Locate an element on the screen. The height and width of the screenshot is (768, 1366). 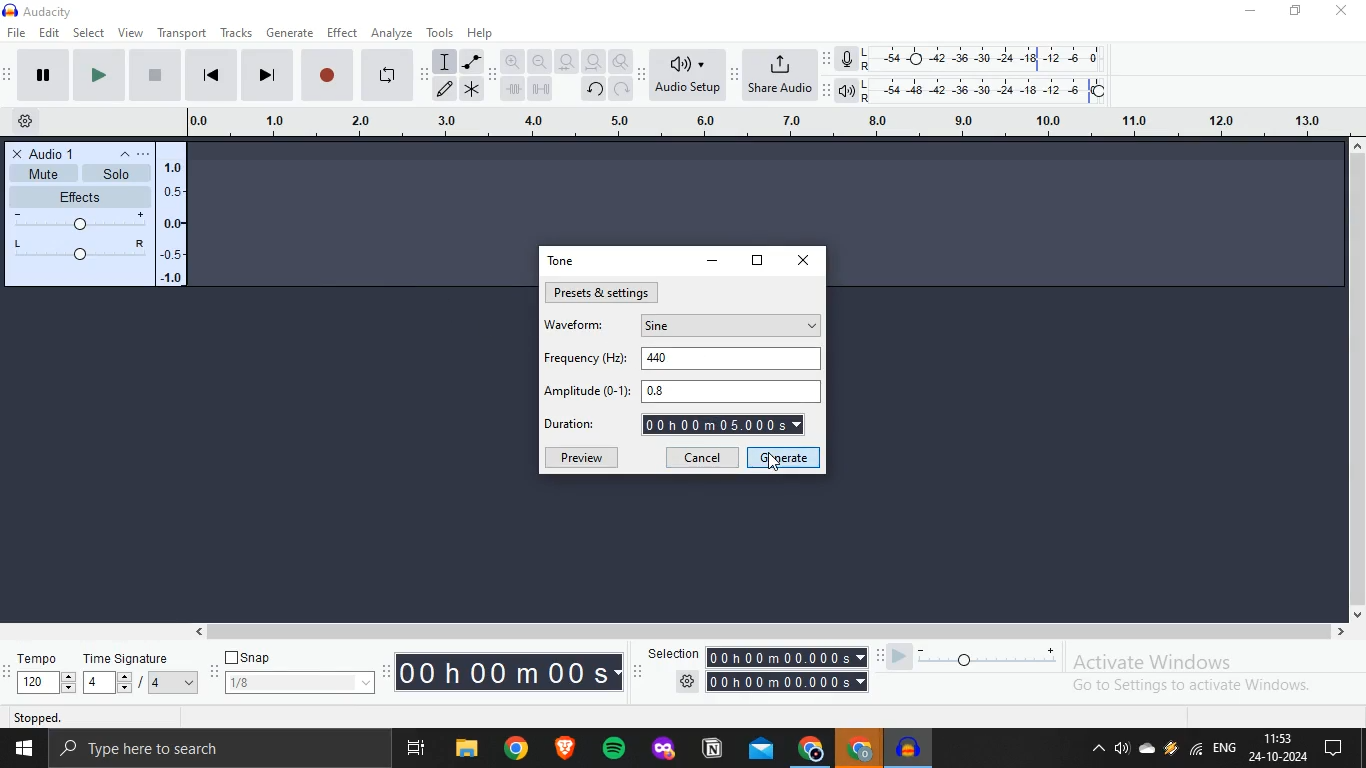
zoom Toogle is located at coordinates (624, 60).